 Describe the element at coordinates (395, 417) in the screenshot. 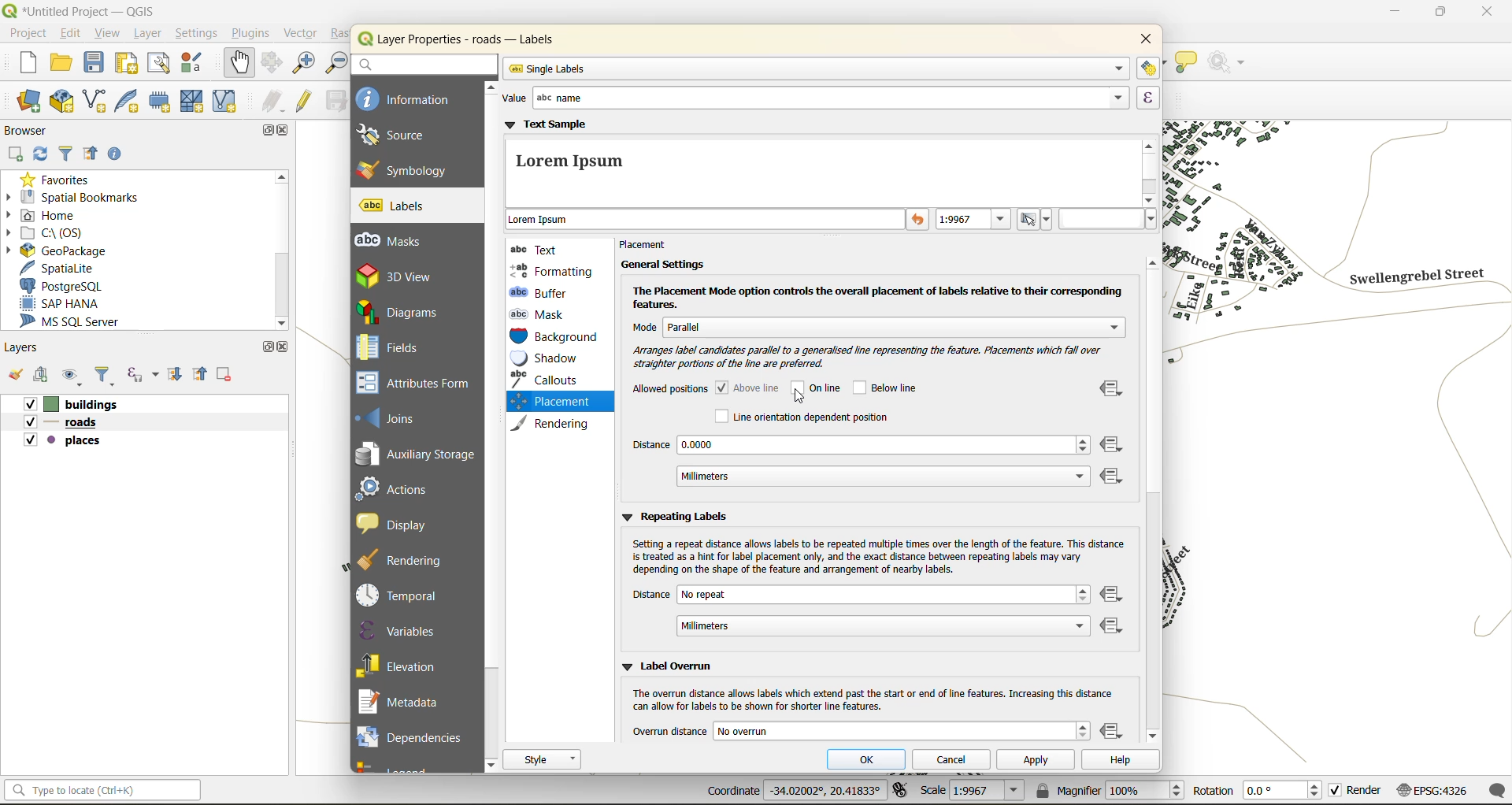

I see `joins` at that location.